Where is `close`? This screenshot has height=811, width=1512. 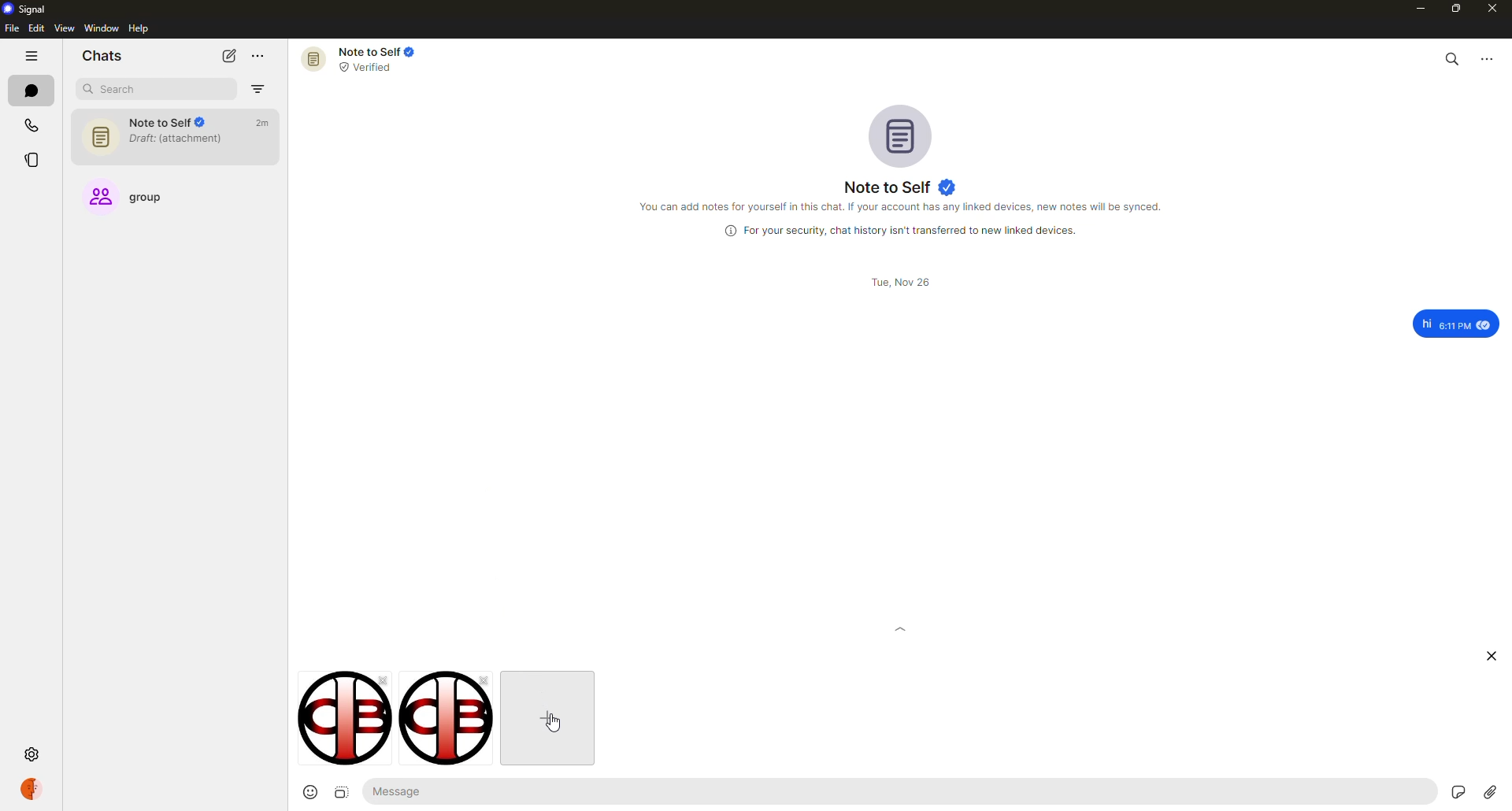
close is located at coordinates (381, 680).